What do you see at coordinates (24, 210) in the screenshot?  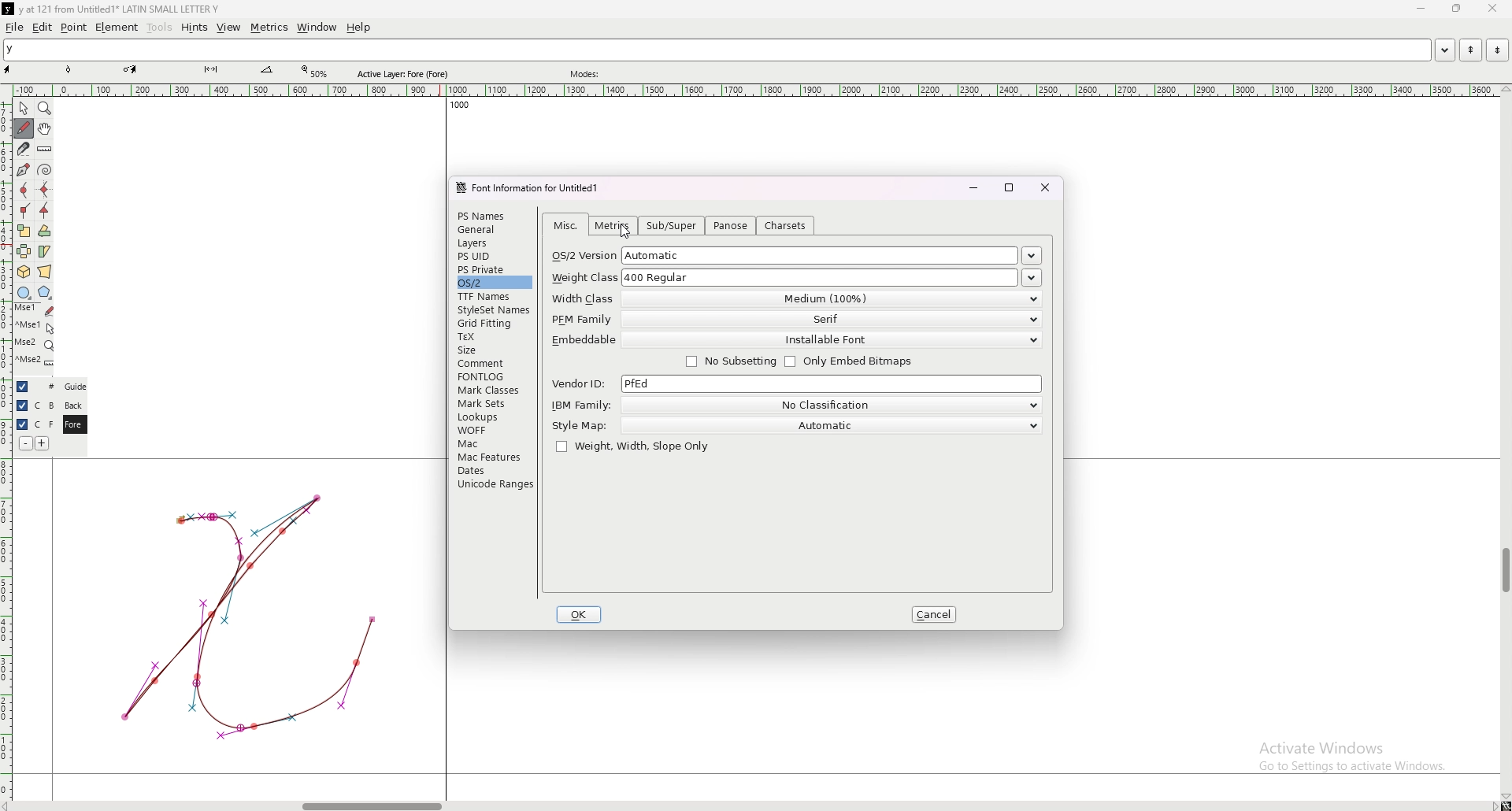 I see `add a corner point` at bounding box center [24, 210].